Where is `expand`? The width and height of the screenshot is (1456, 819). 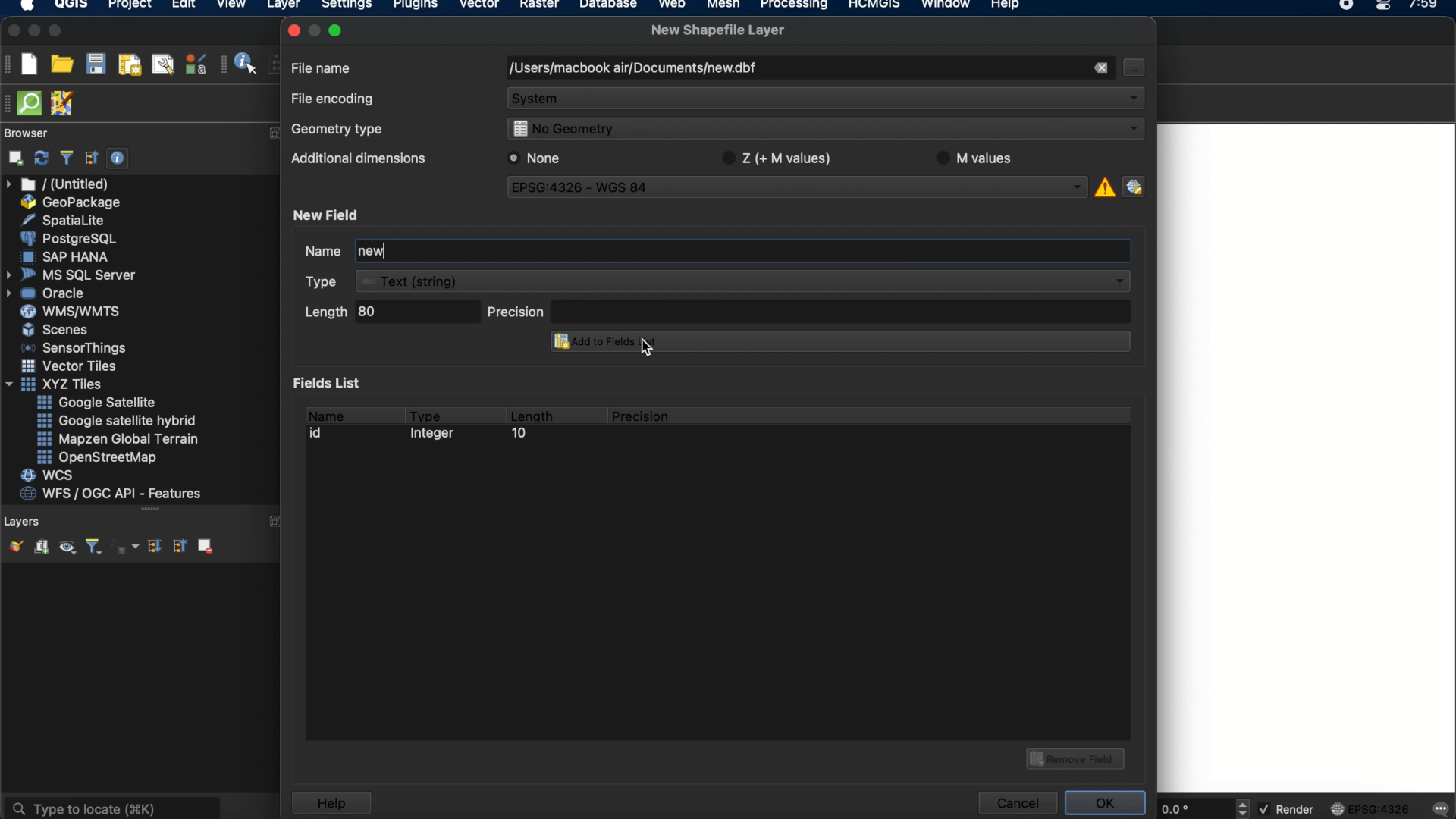
expand is located at coordinates (271, 133).